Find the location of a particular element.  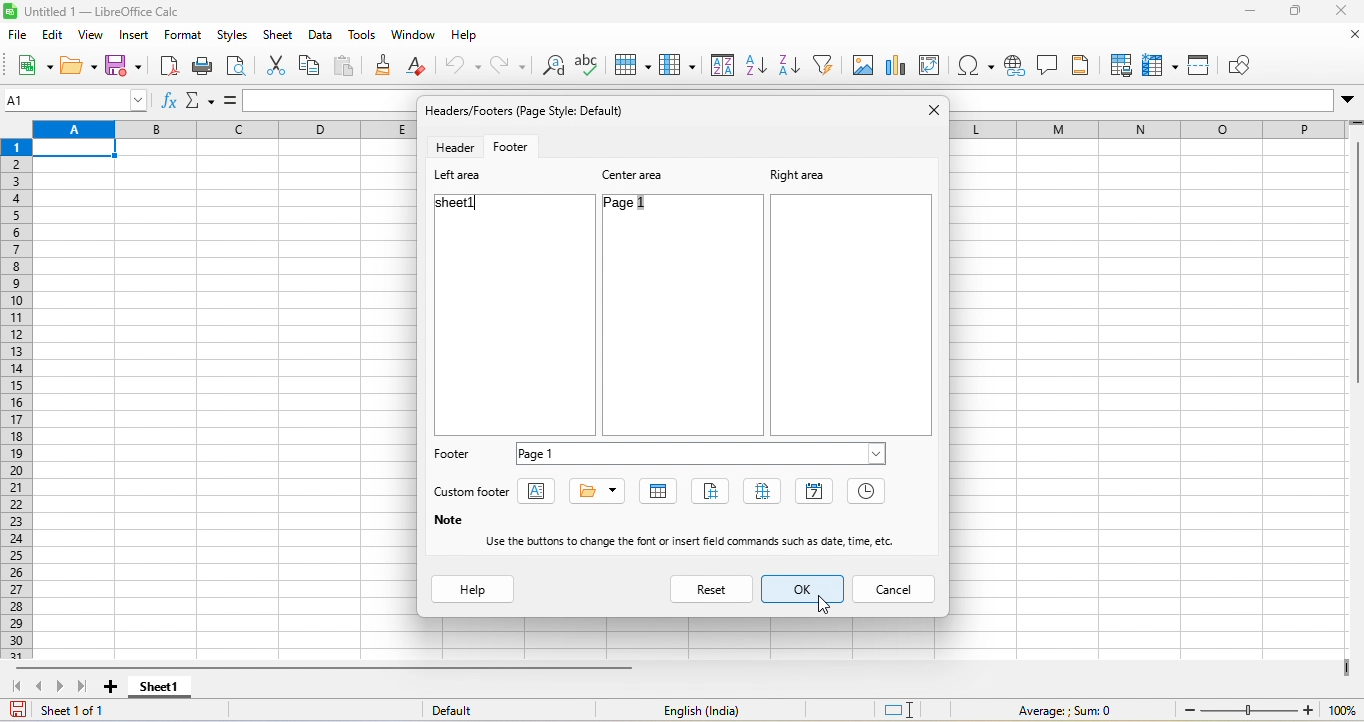

default is located at coordinates (462, 710).